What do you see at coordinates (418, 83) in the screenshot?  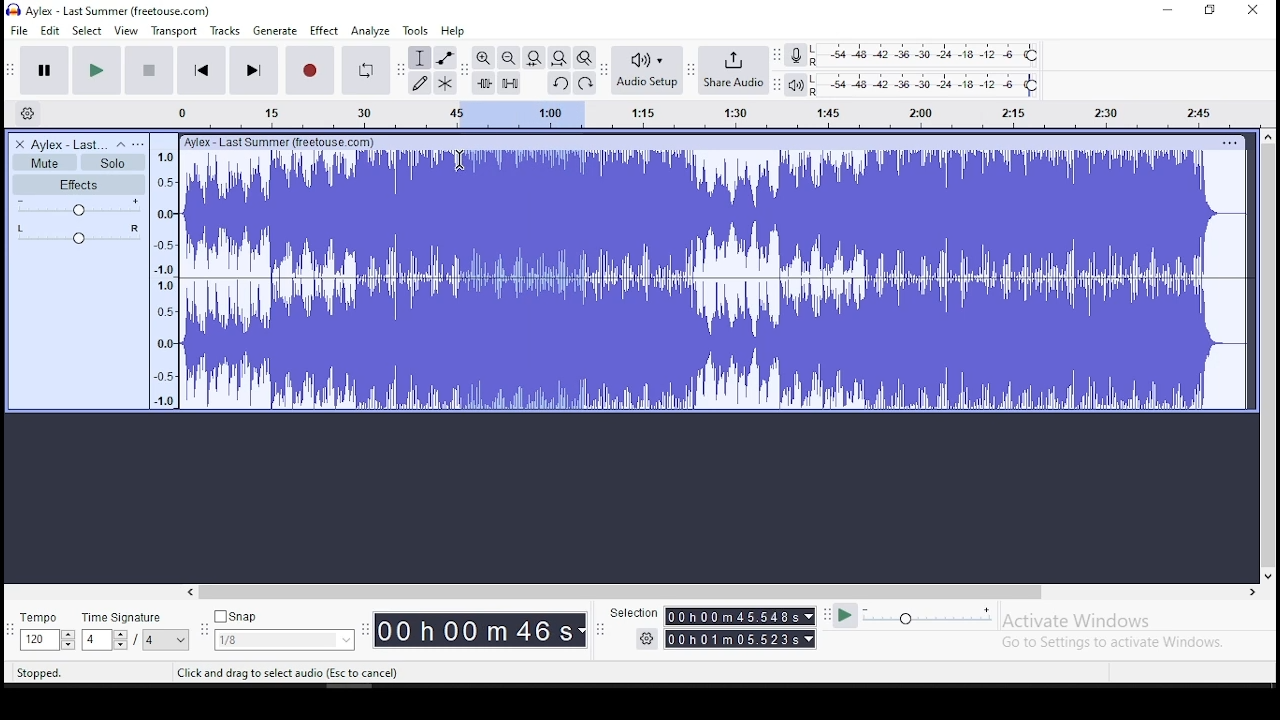 I see `draw tool` at bounding box center [418, 83].